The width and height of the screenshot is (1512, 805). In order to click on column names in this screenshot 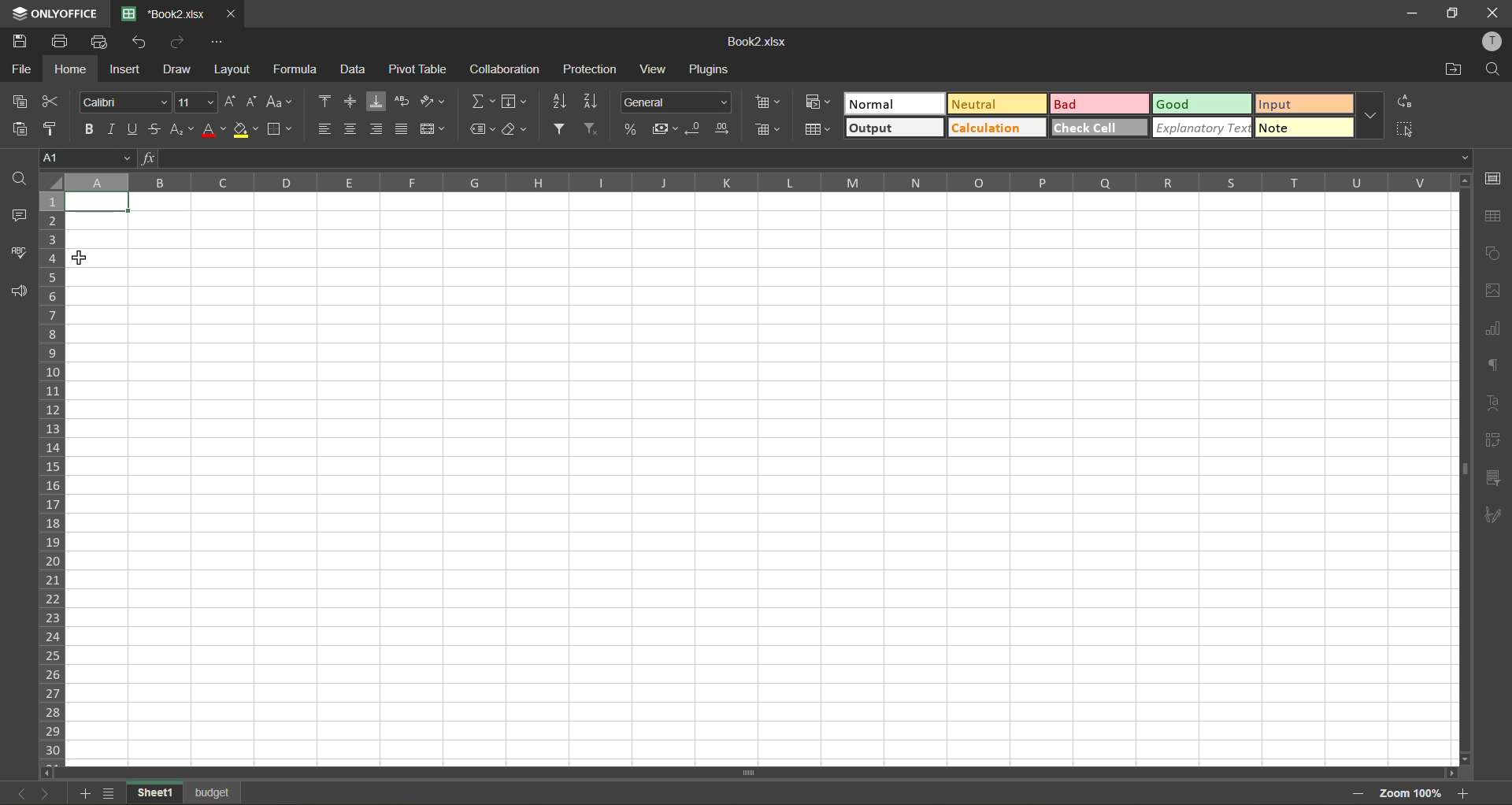, I will do `click(753, 184)`.